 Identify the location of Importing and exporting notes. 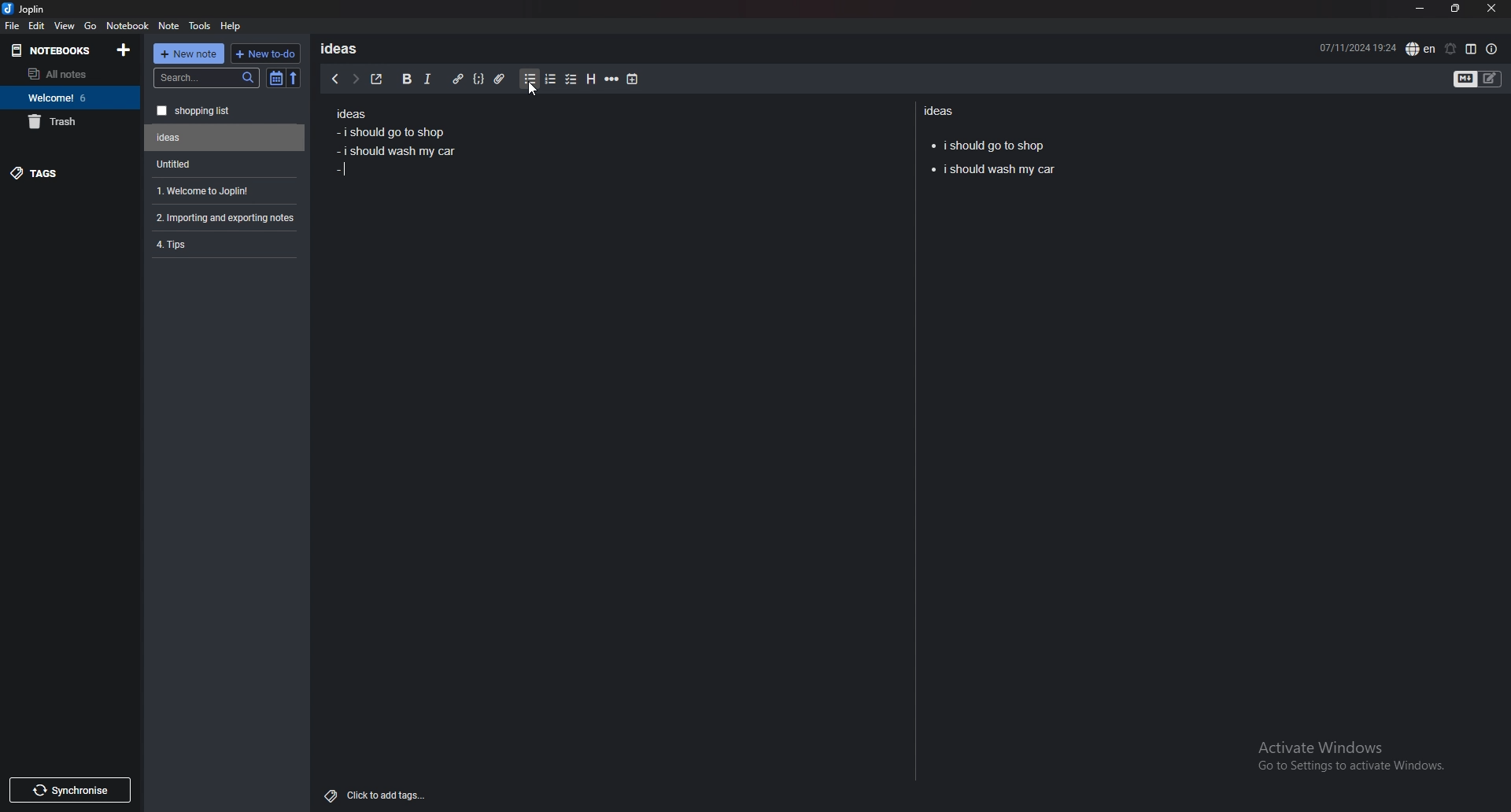
(227, 218).